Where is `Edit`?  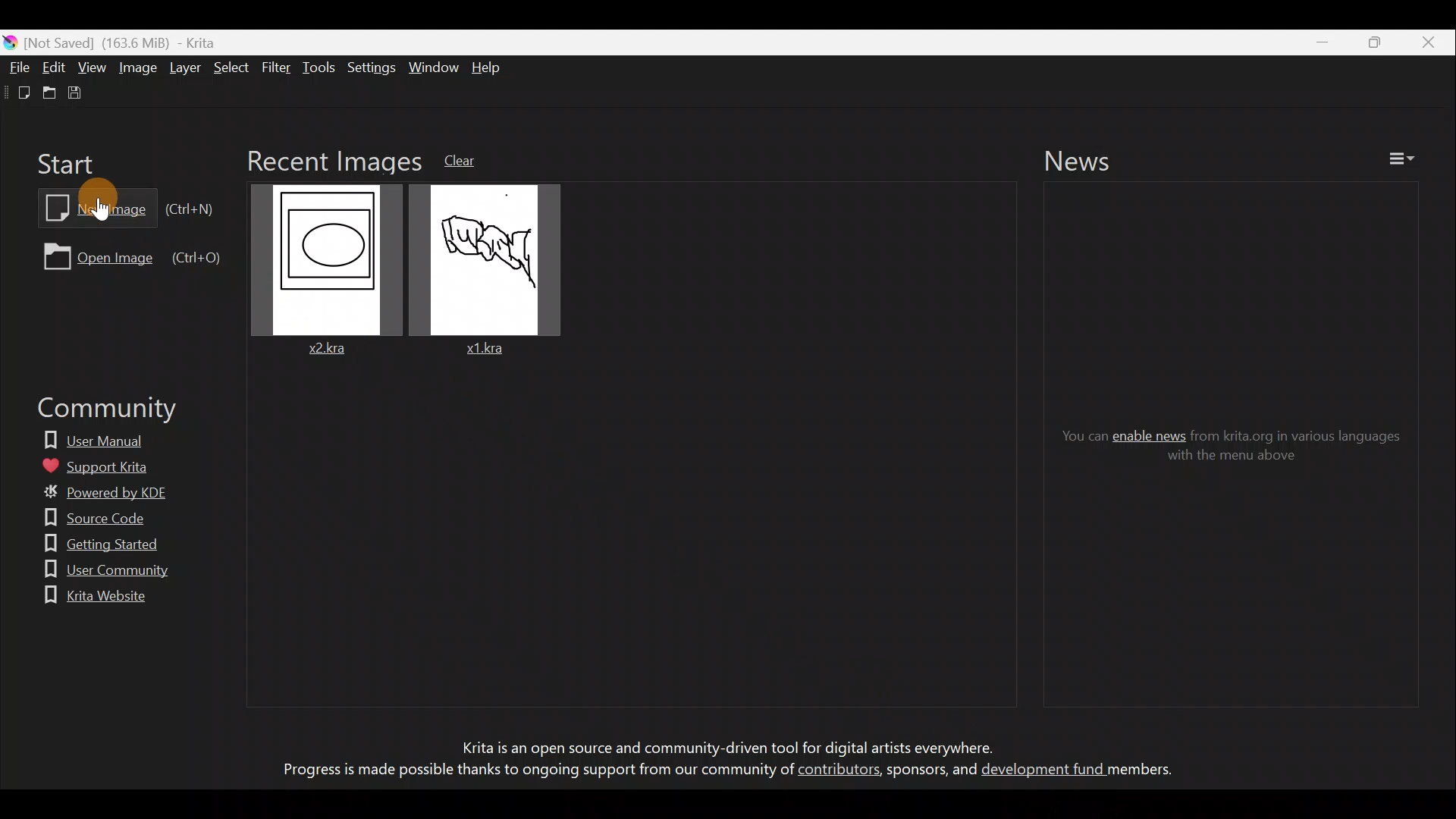 Edit is located at coordinates (55, 67).